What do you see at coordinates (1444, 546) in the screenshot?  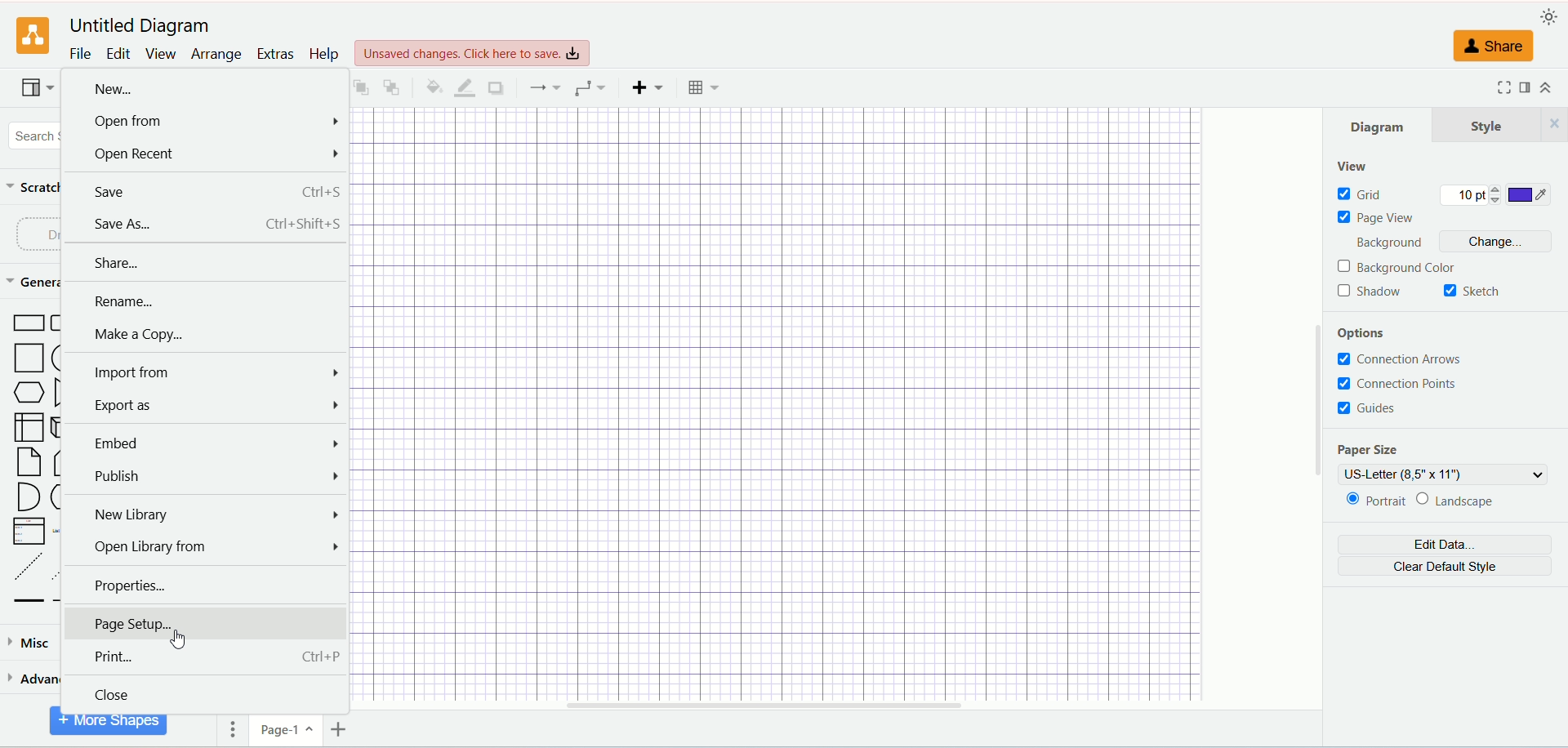 I see `edit data` at bounding box center [1444, 546].